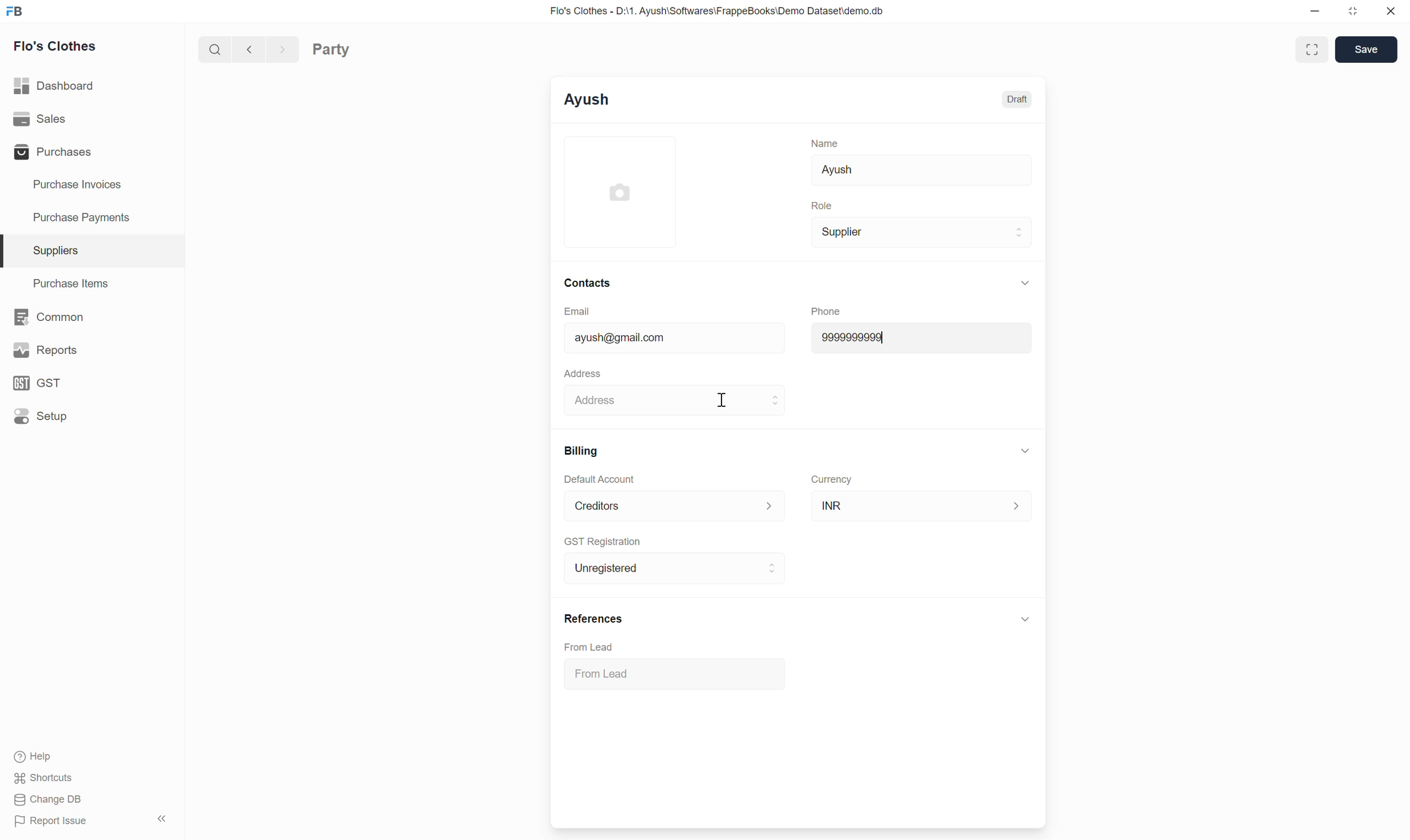  What do you see at coordinates (1366, 49) in the screenshot?
I see `Save` at bounding box center [1366, 49].